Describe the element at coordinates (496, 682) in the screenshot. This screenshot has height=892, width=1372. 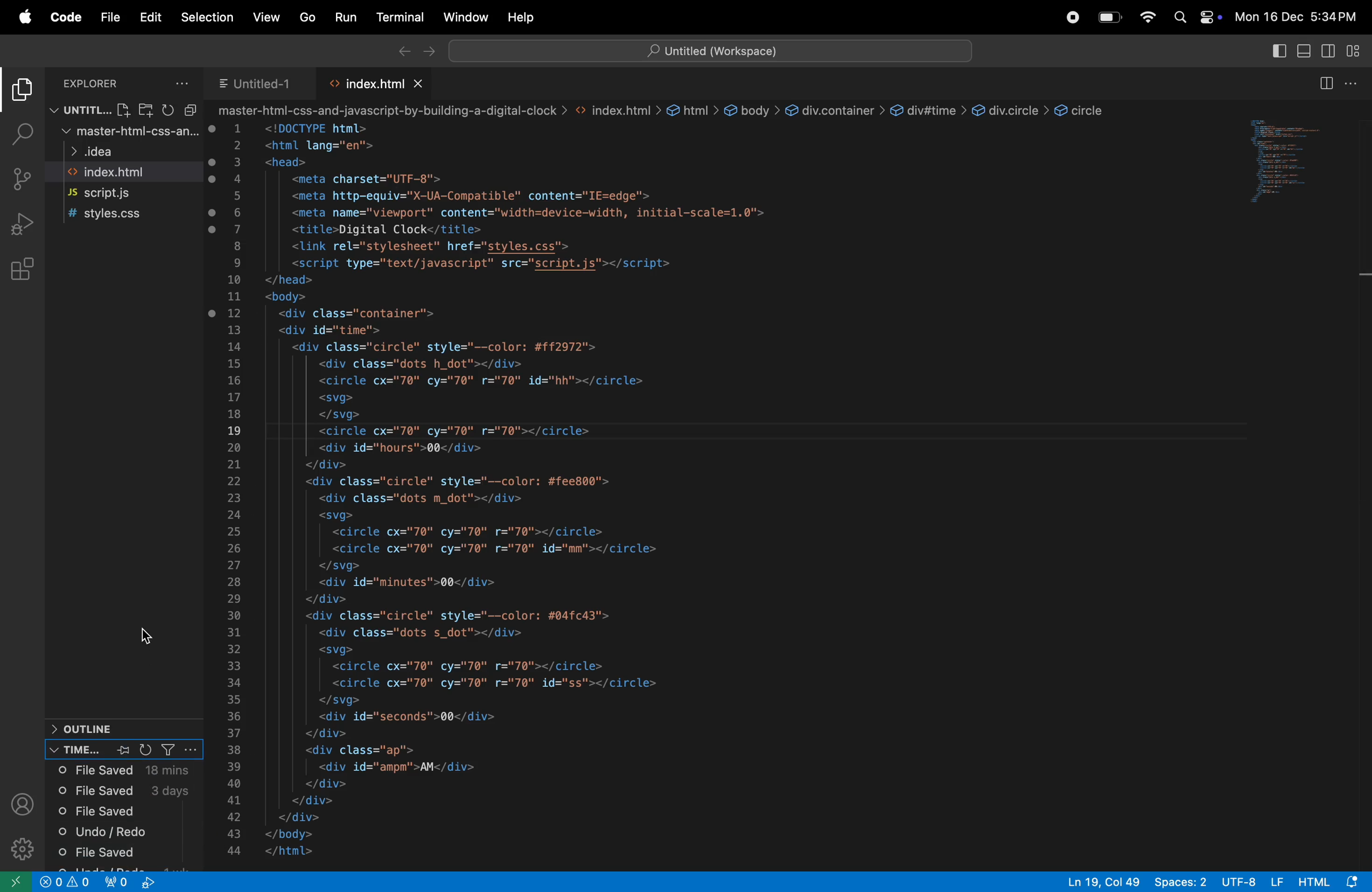
I see `<circle cx="70" cy="70" r="70" id="ss"></circle>` at that location.